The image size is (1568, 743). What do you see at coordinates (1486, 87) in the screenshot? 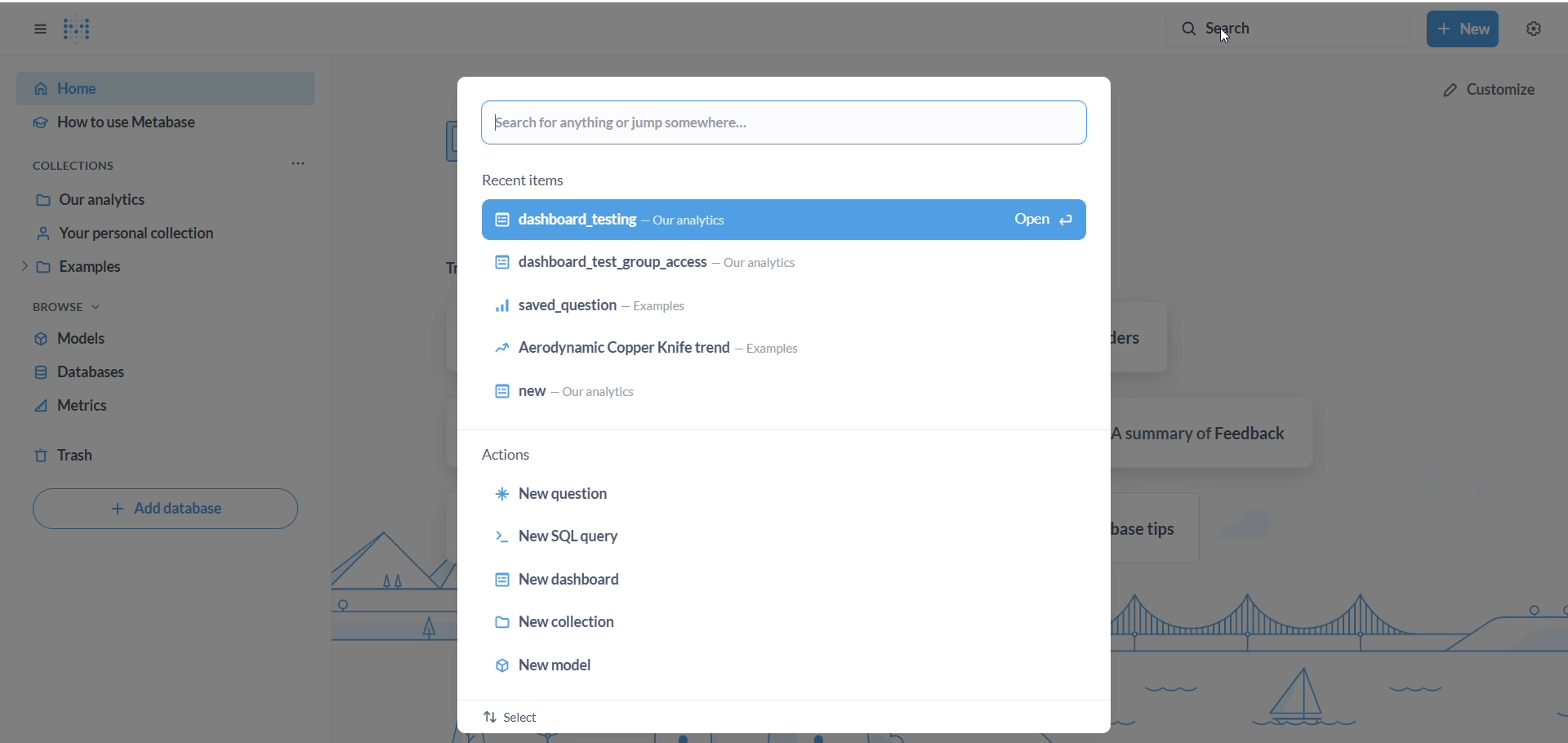
I see `customize` at bounding box center [1486, 87].